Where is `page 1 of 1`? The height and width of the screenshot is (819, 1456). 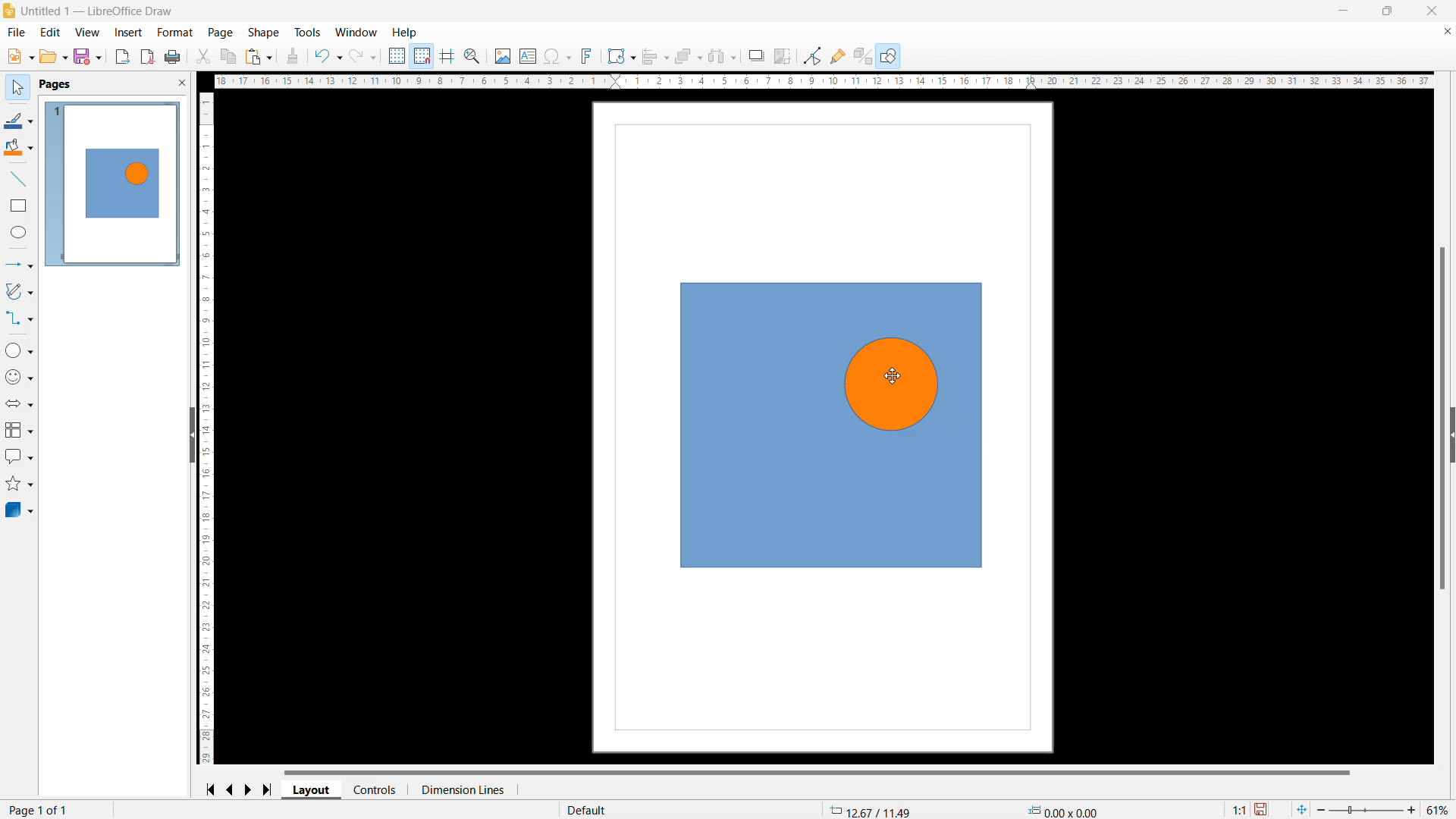 page 1 of 1 is located at coordinates (41, 811).